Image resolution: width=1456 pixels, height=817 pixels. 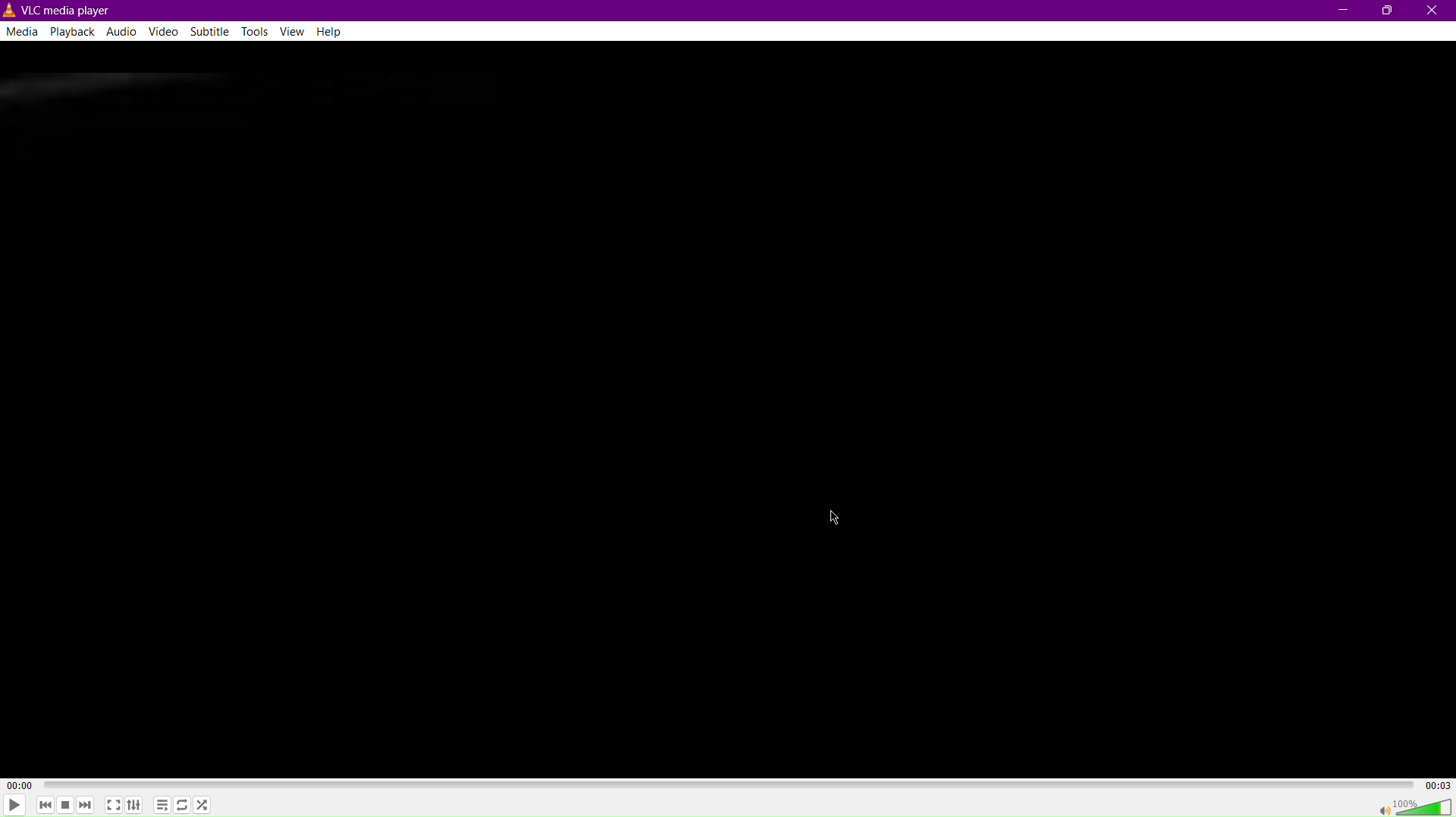 I want to click on Loop, so click(x=184, y=804).